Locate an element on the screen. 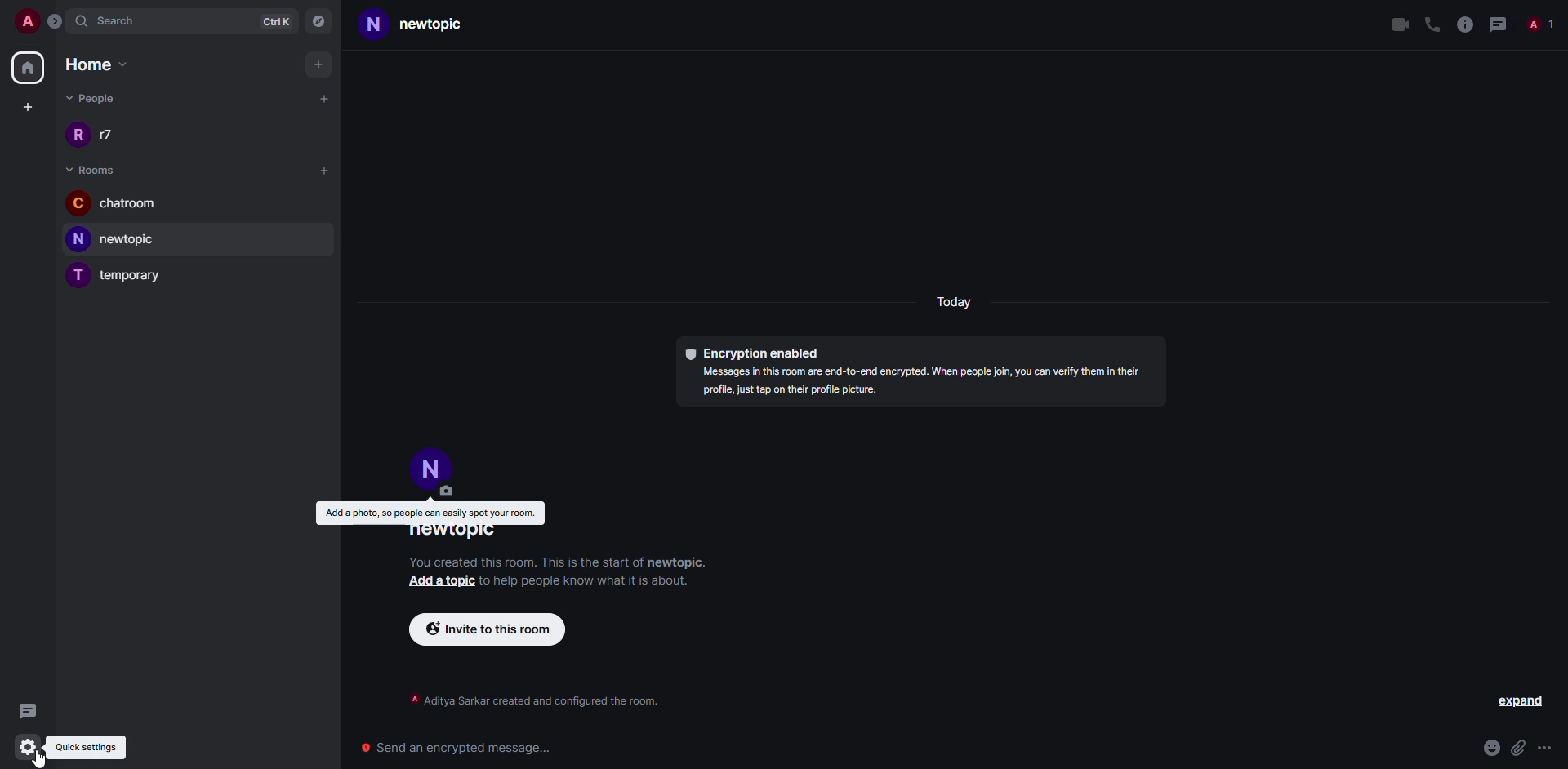 The image size is (1568, 769). expand is located at coordinates (55, 21).